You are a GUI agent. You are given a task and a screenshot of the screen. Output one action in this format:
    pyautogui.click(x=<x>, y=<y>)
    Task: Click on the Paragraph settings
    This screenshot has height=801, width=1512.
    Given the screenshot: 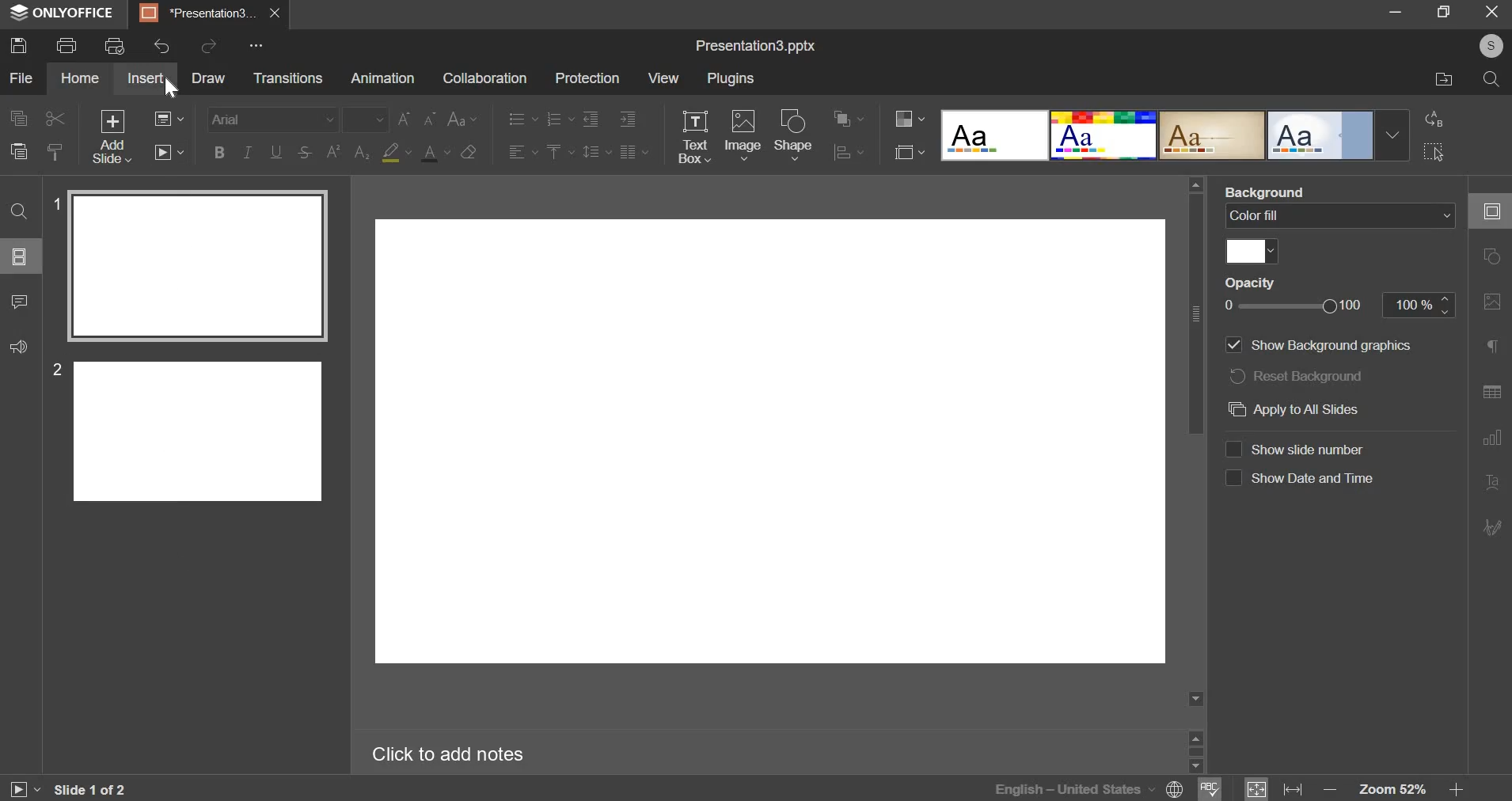 What is the action you would take?
    pyautogui.click(x=1492, y=345)
    